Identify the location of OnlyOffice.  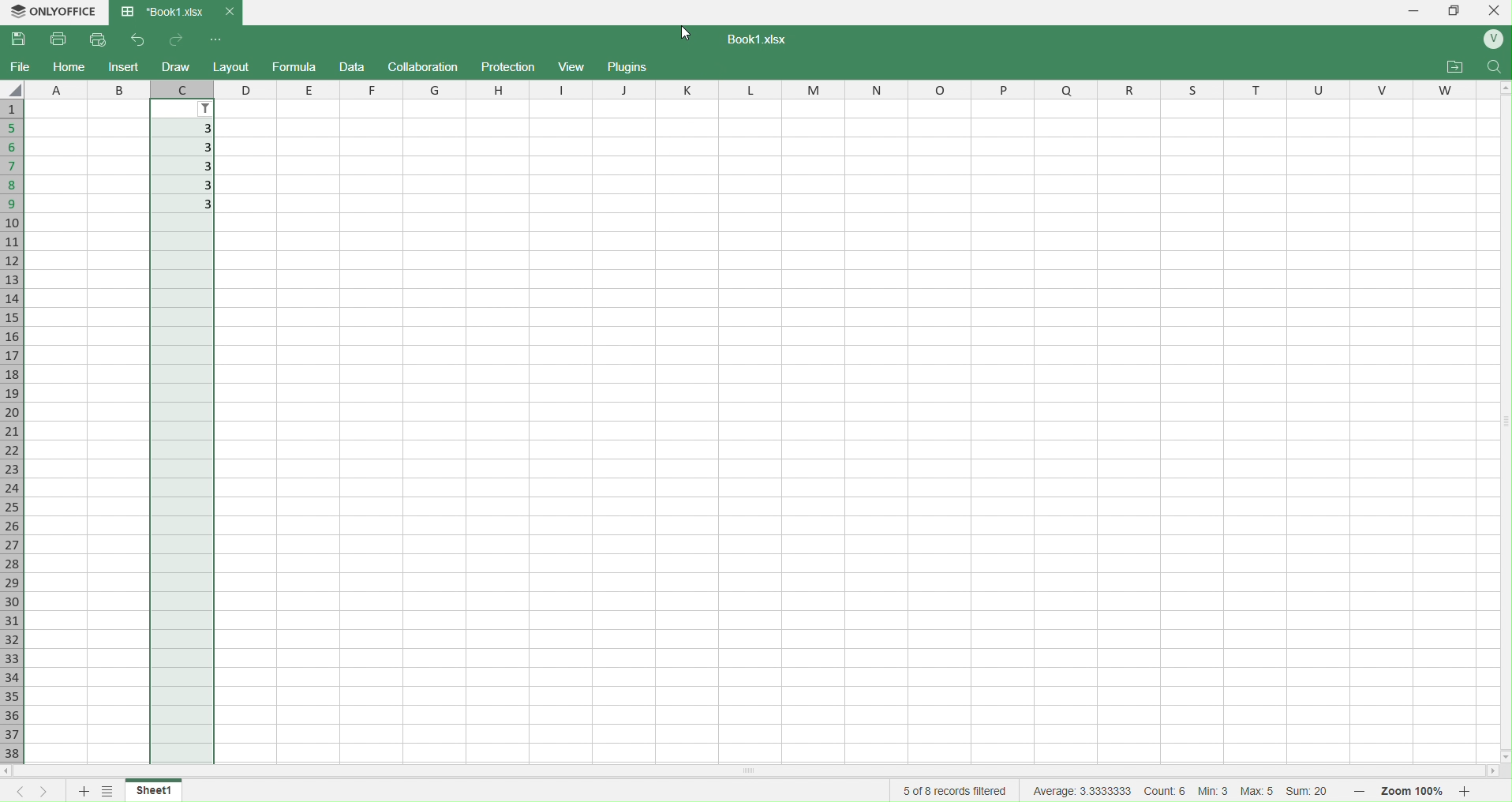
(56, 11).